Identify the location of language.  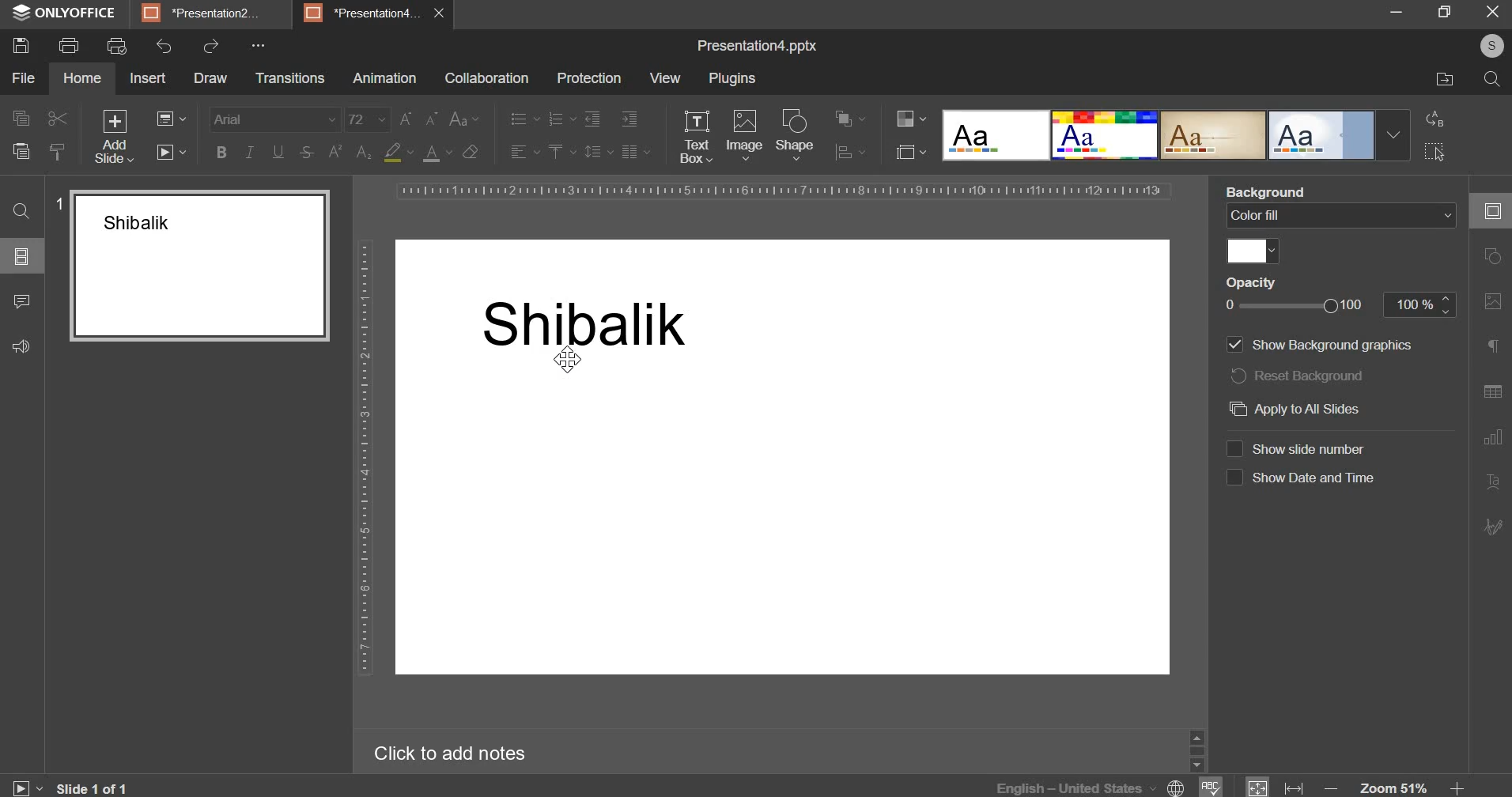
(1175, 787).